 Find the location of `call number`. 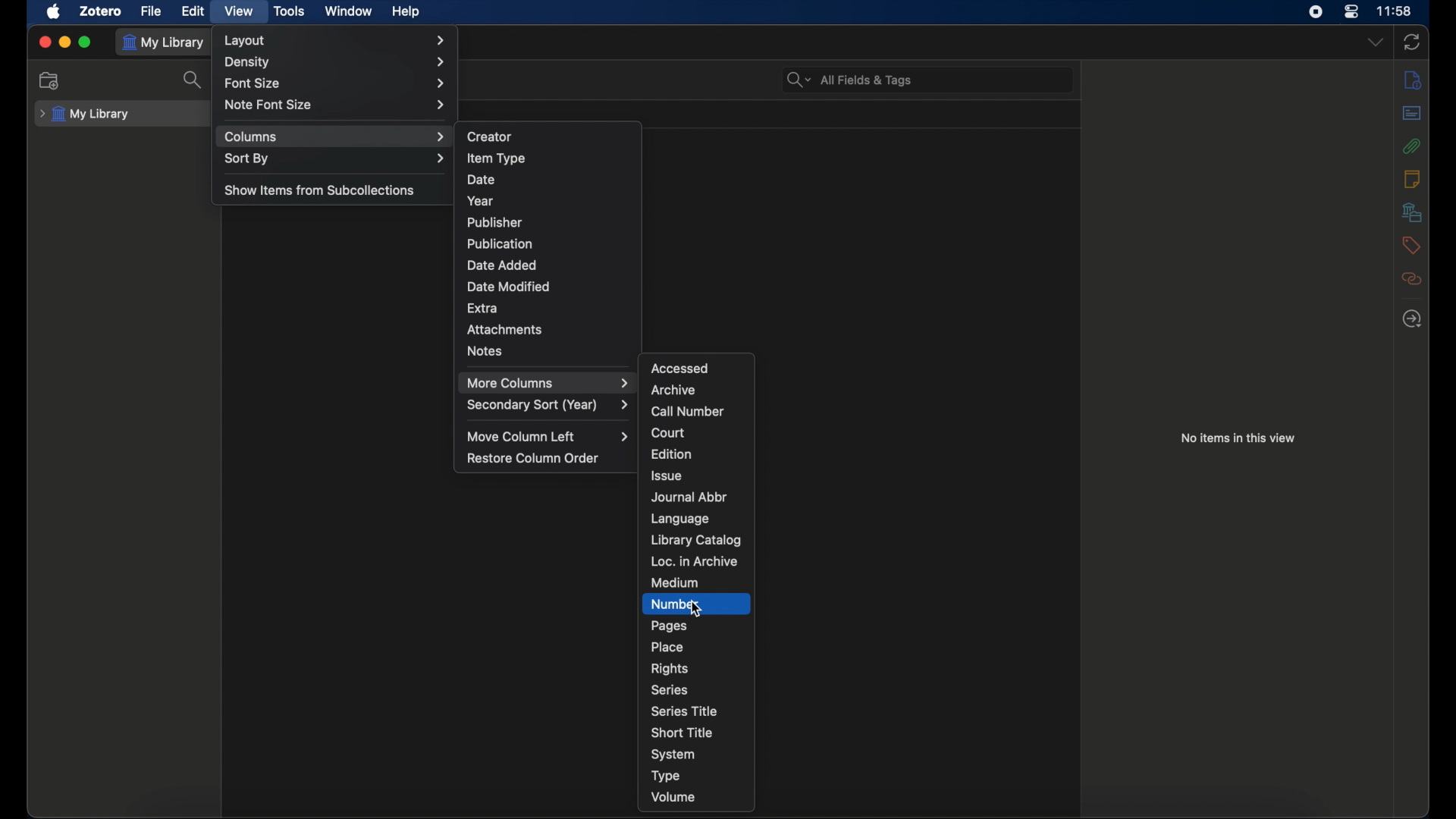

call number is located at coordinates (688, 412).